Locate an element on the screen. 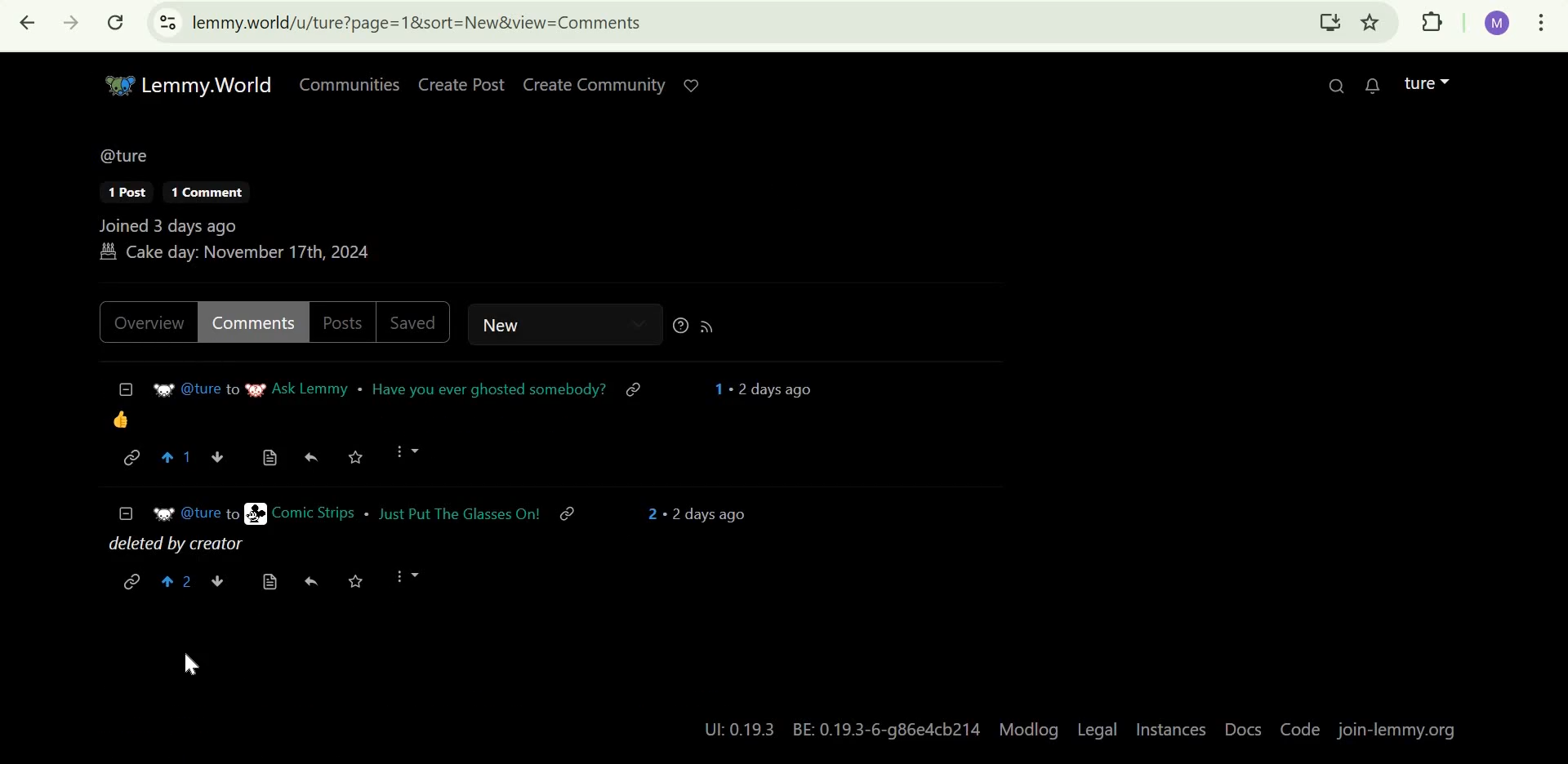 The image size is (1568, 764). create post is located at coordinates (460, 85).